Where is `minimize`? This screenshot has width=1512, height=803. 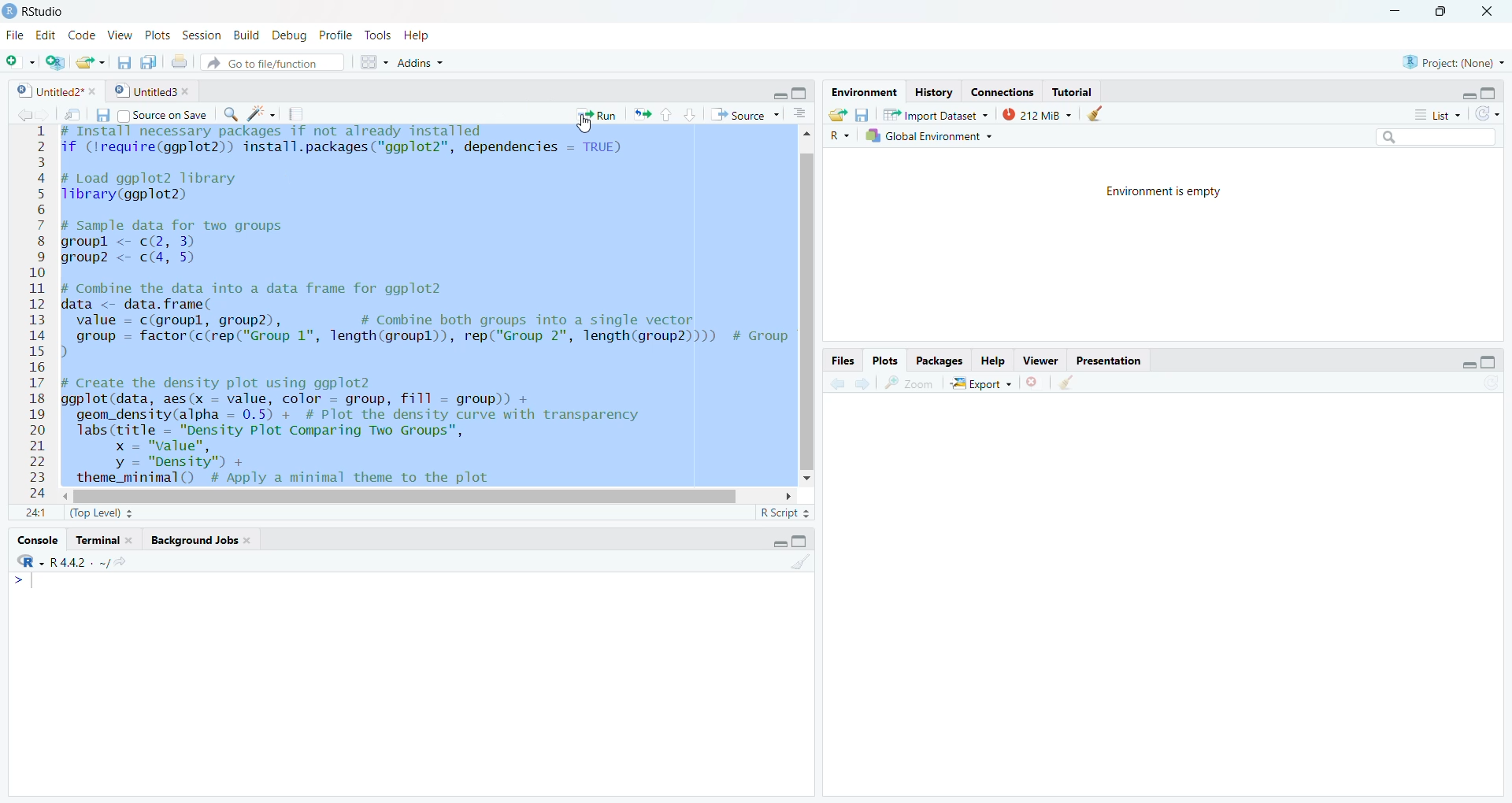
minimize is located at coordinates (769, 543).